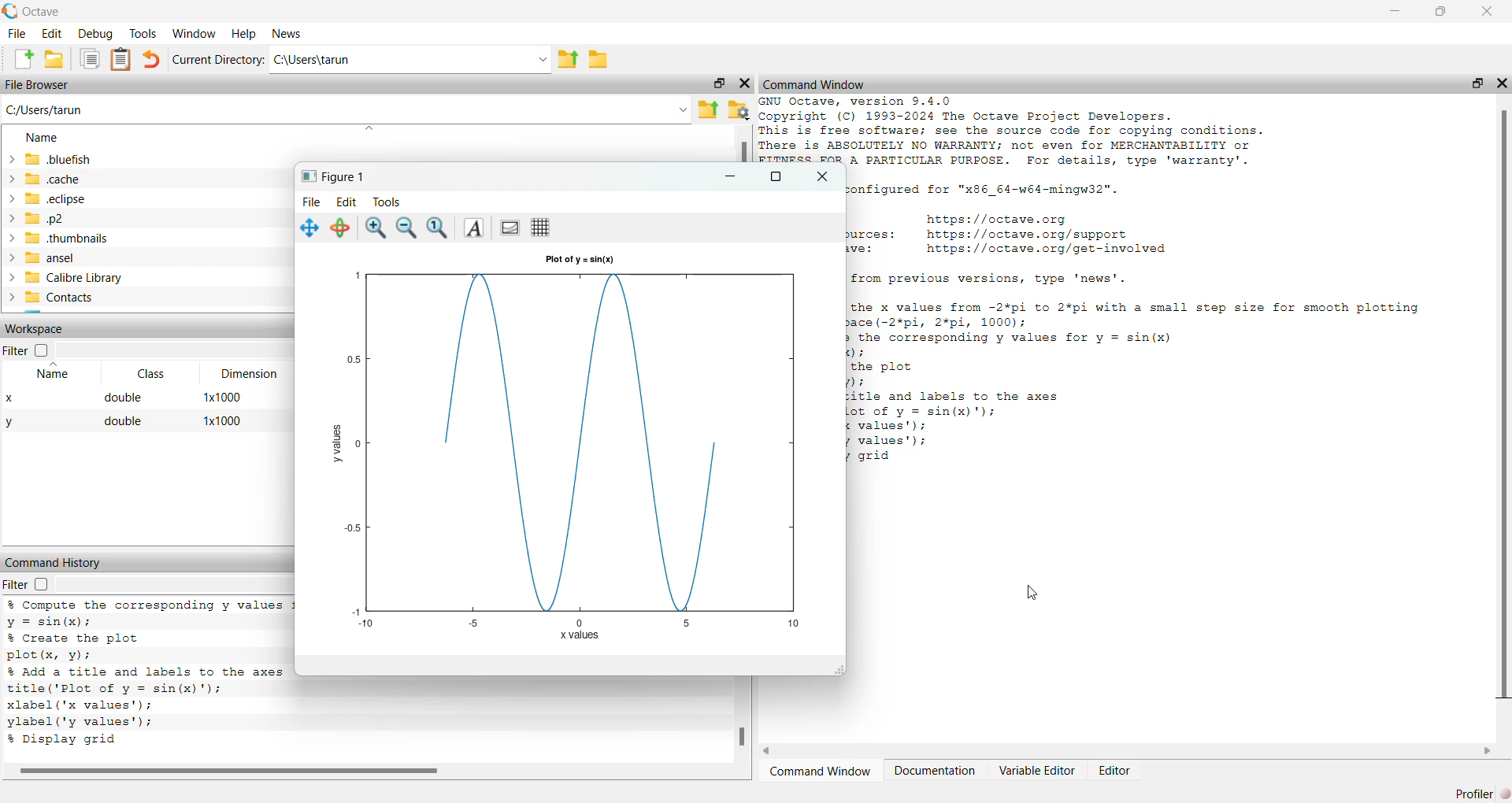 The width and height of the screenshot is (1512, 803). What do you see at coordinates (142, 34) in the screenshot?
I see `Tools` at bounding box center [142, 34].